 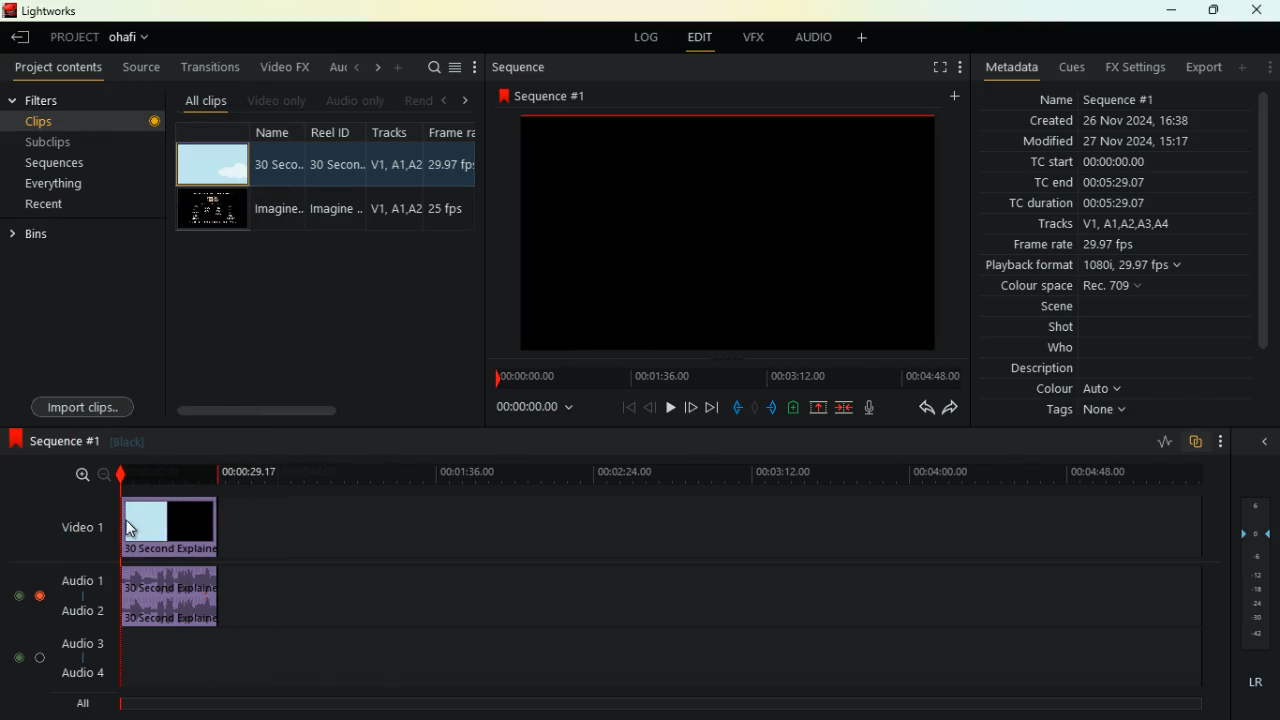 What do you see at coordinates (527, 408) in the screenshot?
I see `time` at bounding box center [527, 408].